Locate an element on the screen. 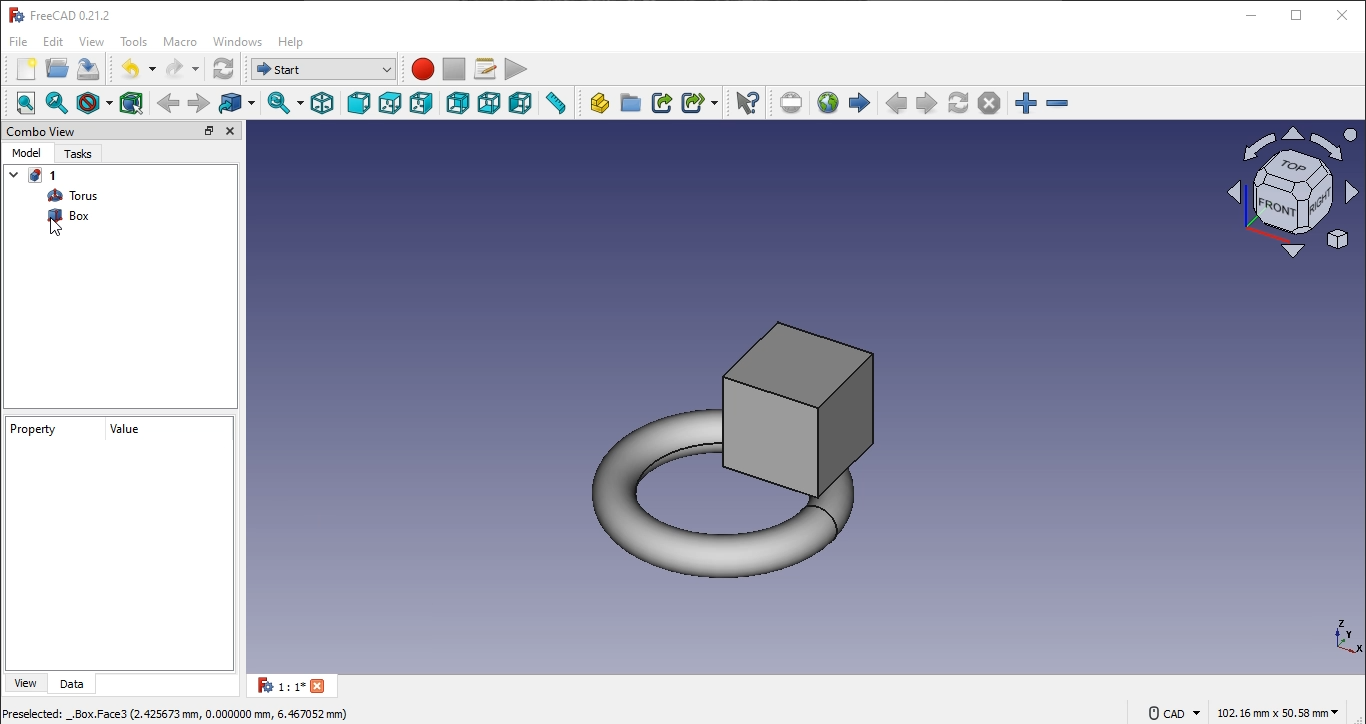 The image size is (1366, 724). macro recording is located at coordinates (423, 70).